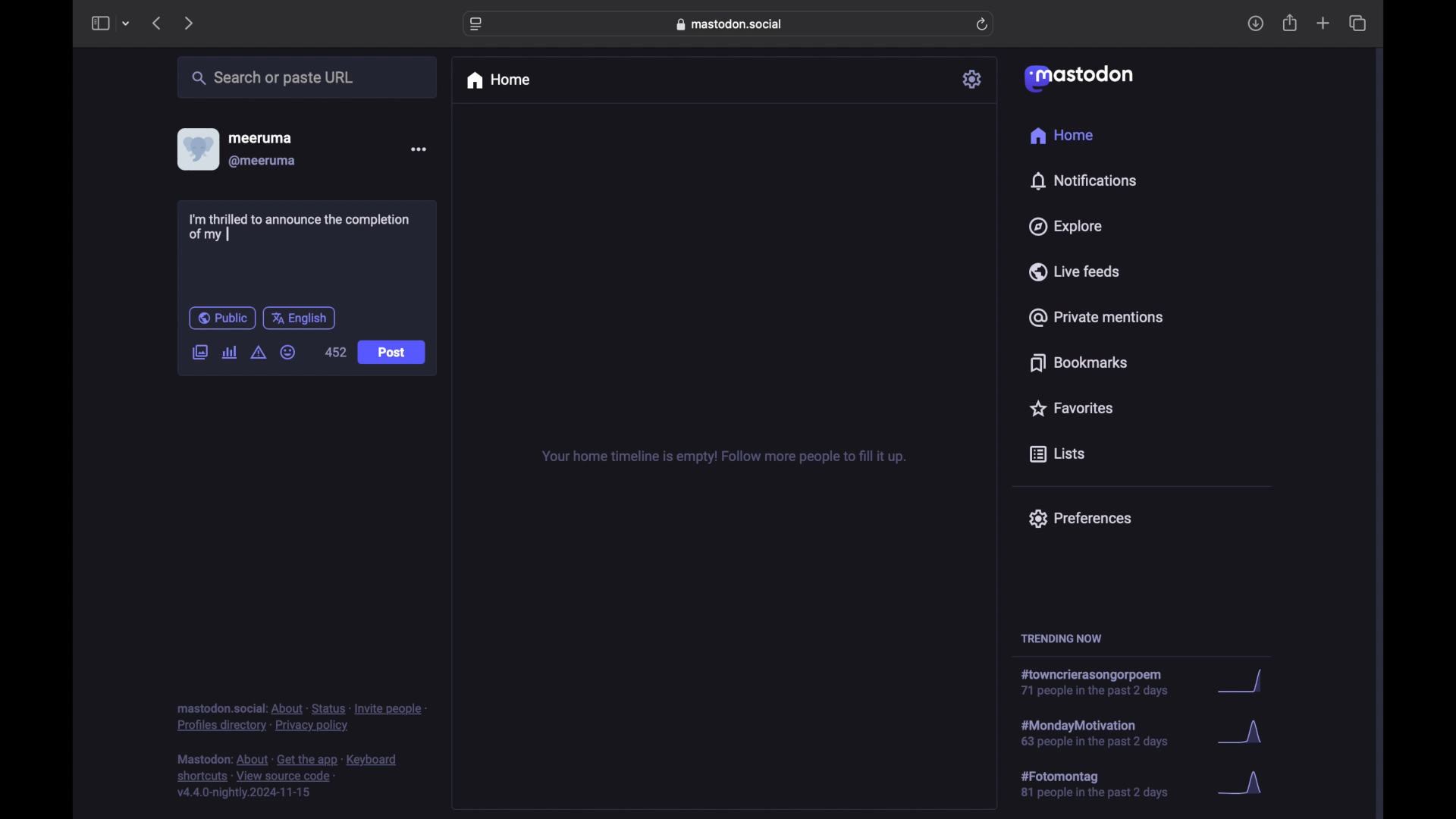 This screenshot has height=819, width=1456. Describe the element at coordinates (1063, 135) in the screenshot. I see `home` at that location.